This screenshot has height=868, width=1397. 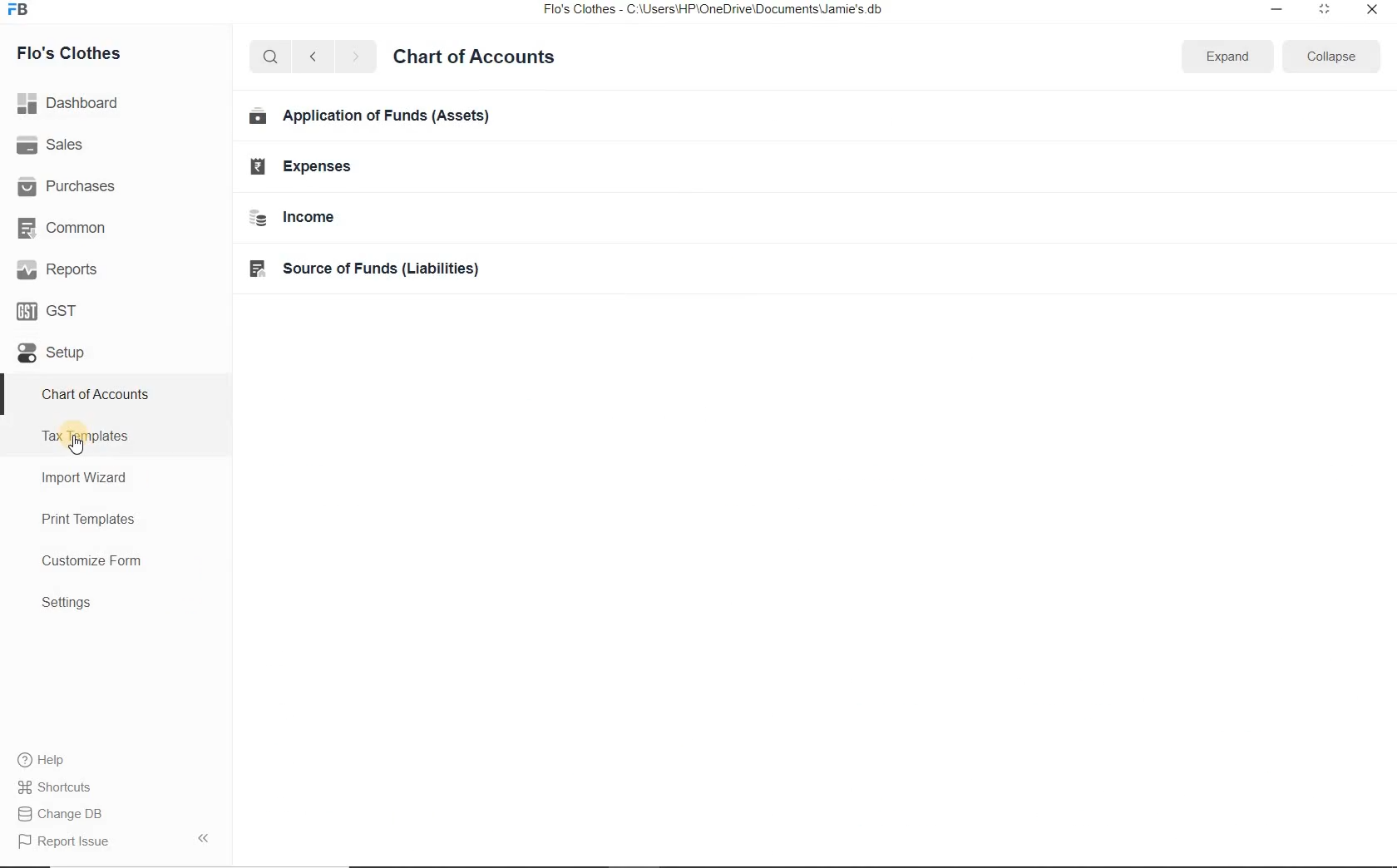 I want to click on Flo's Clothes, so click(x=66, y=53).